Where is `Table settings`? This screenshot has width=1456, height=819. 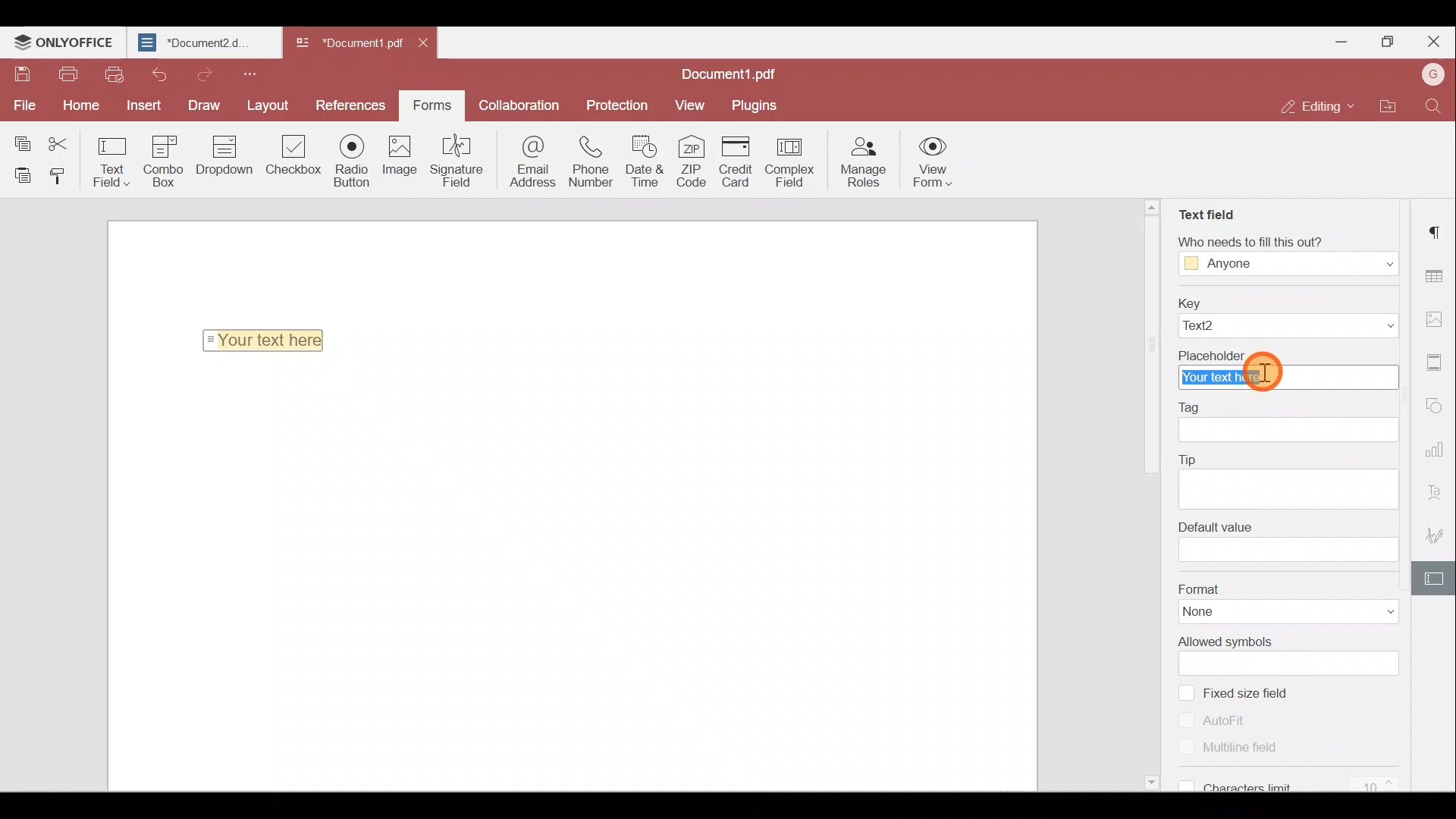 Table settings is located at coordinates (1436, 271).